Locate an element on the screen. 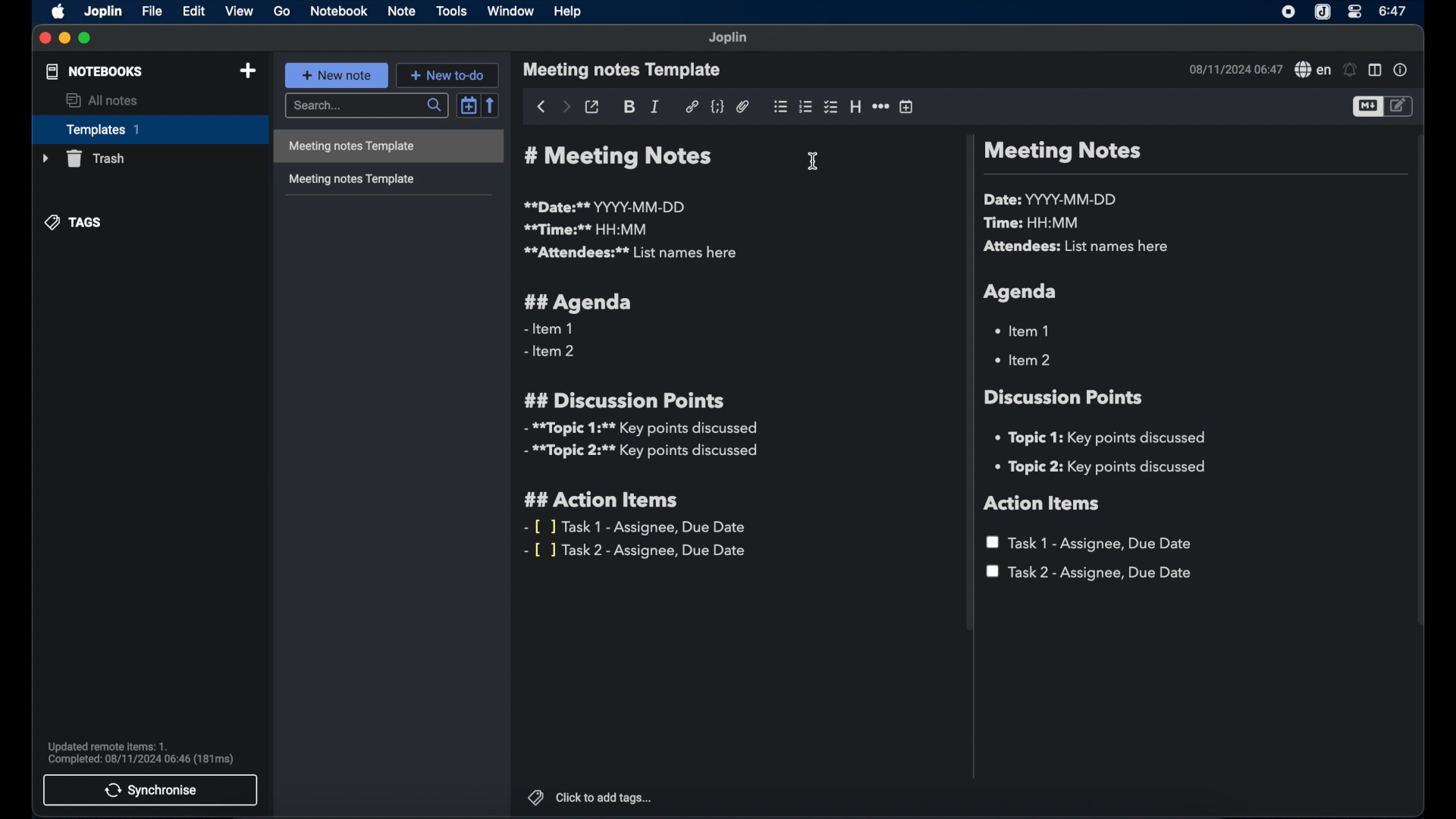  maximize is located at coordinates (86, 38).